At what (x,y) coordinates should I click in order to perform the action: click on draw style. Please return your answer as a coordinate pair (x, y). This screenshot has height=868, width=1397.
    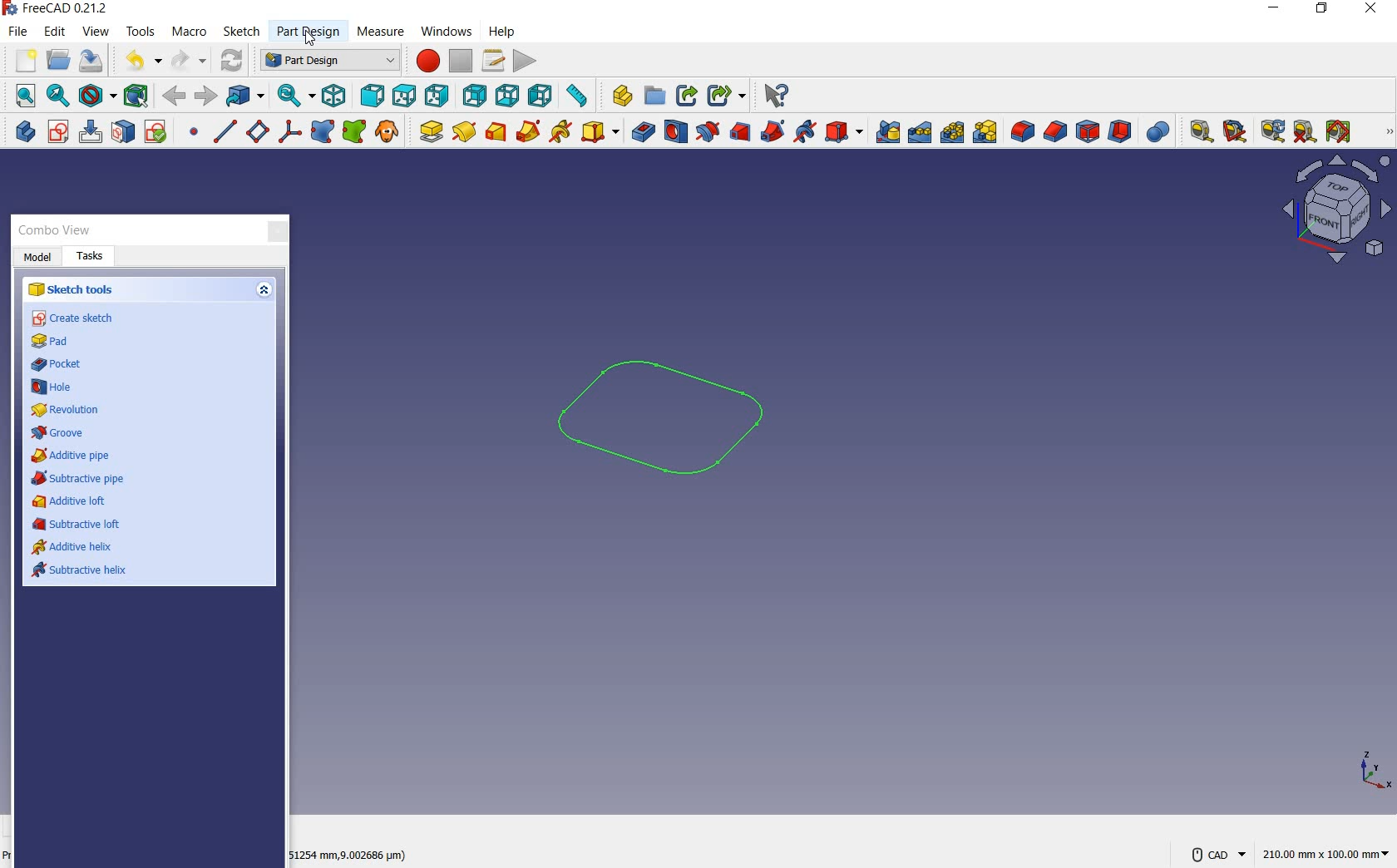
    Looking at the image, I should click on (96, 95).